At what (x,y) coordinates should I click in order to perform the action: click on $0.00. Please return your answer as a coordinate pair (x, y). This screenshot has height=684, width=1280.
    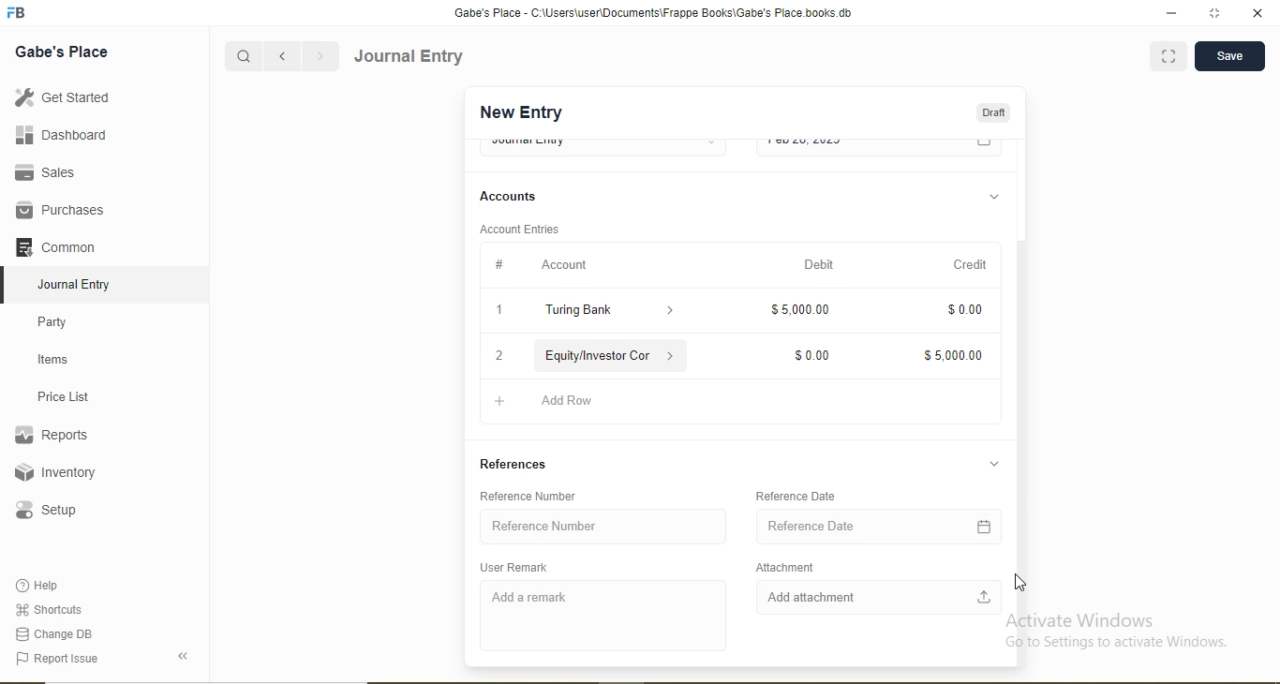
    Looking at the image, I should click on (810, 356).